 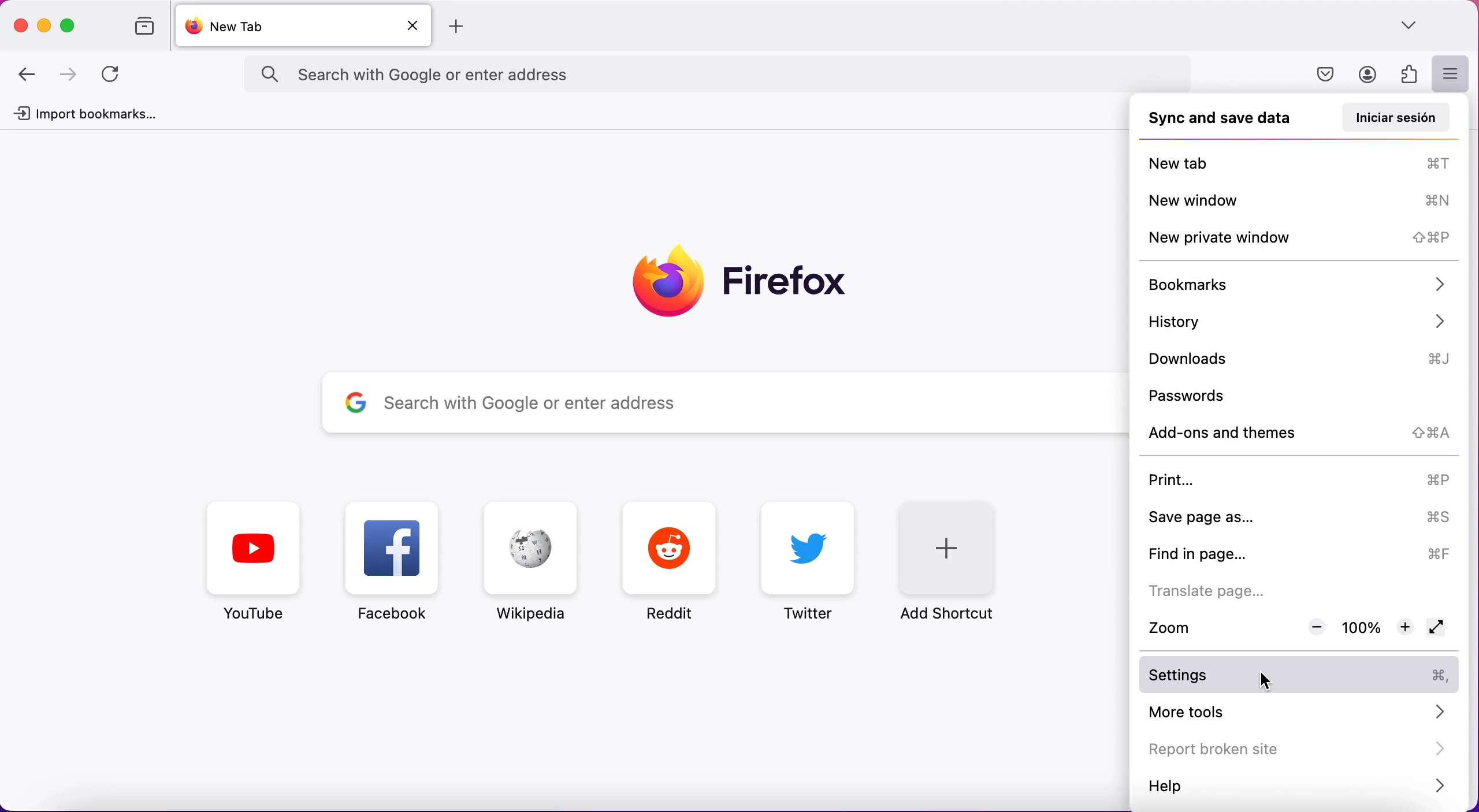 What do you see at coordinates (1300, 198) in the screenshot?
I see `new window` at bounding box center [1300, 198].